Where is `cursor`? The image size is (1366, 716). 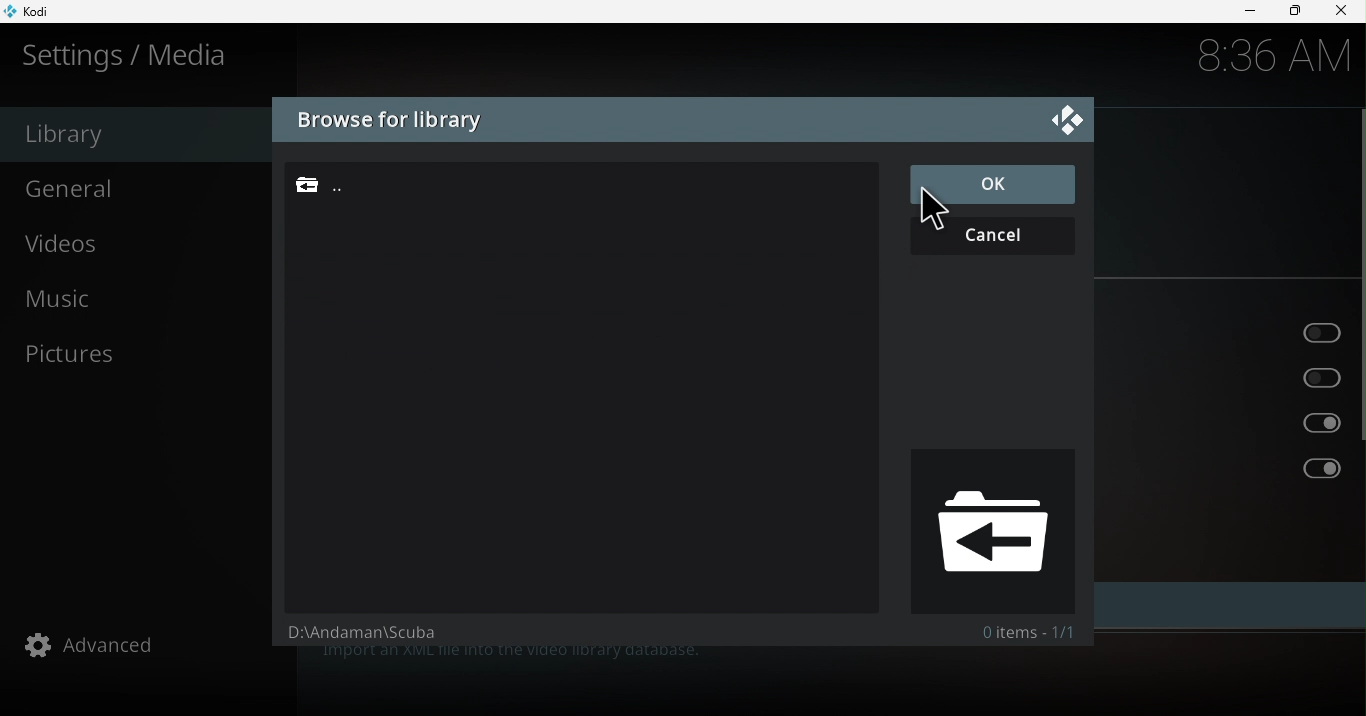 cursor is located at coordinates (929, 210).